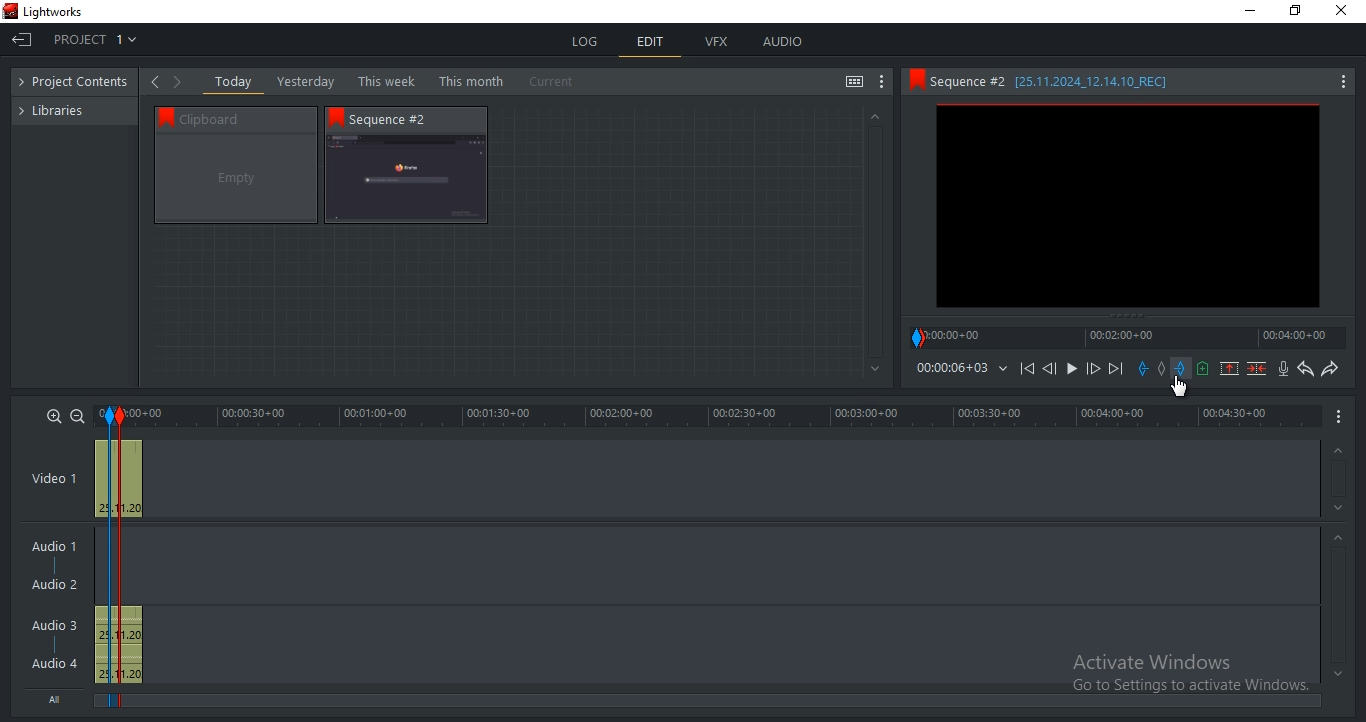 This screenshot has width=1366, height=722. I want to click on Audio 1, so click(50, 548).